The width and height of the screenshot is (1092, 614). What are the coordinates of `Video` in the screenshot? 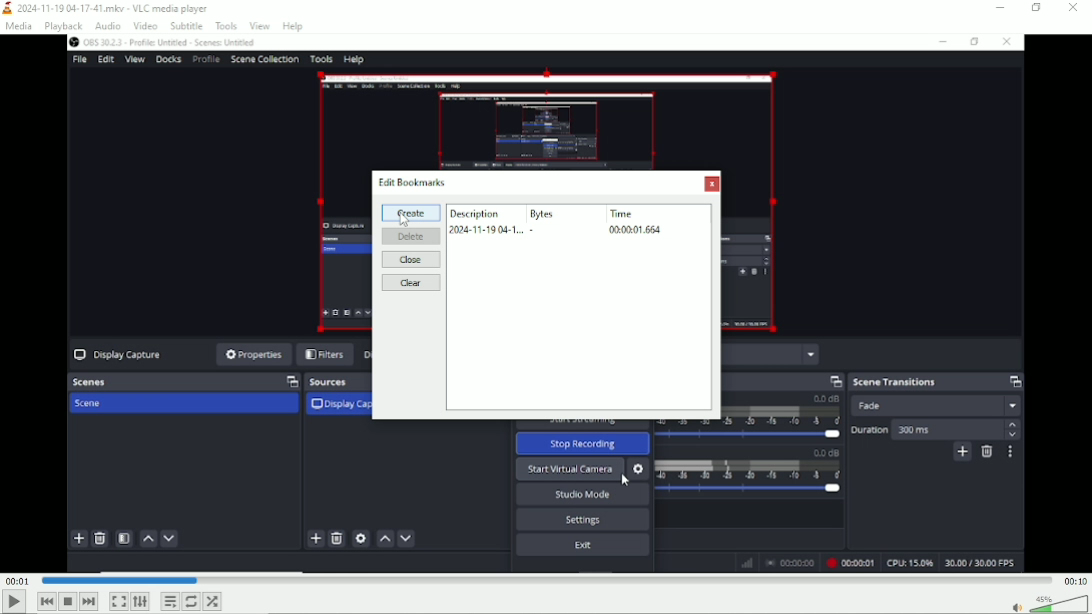 It's located at (145, 25).